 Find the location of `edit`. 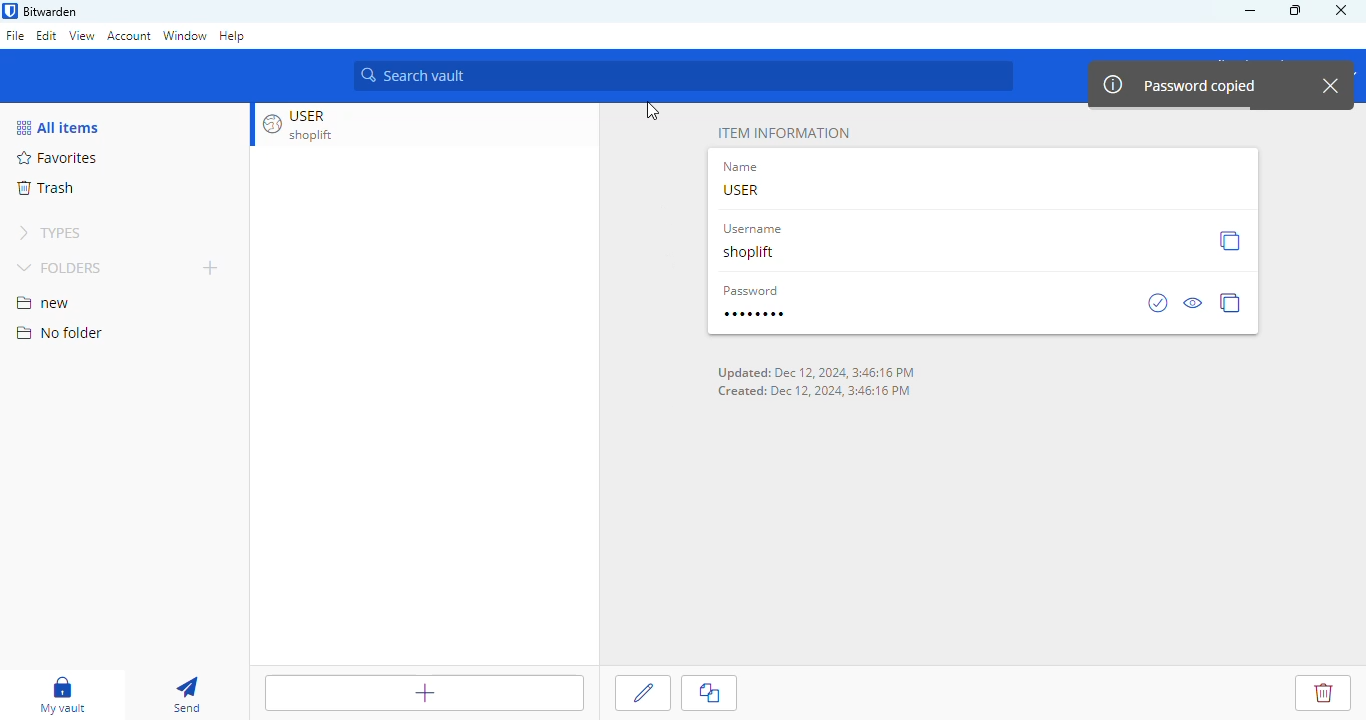

edit is located at coordinates (645, 690).